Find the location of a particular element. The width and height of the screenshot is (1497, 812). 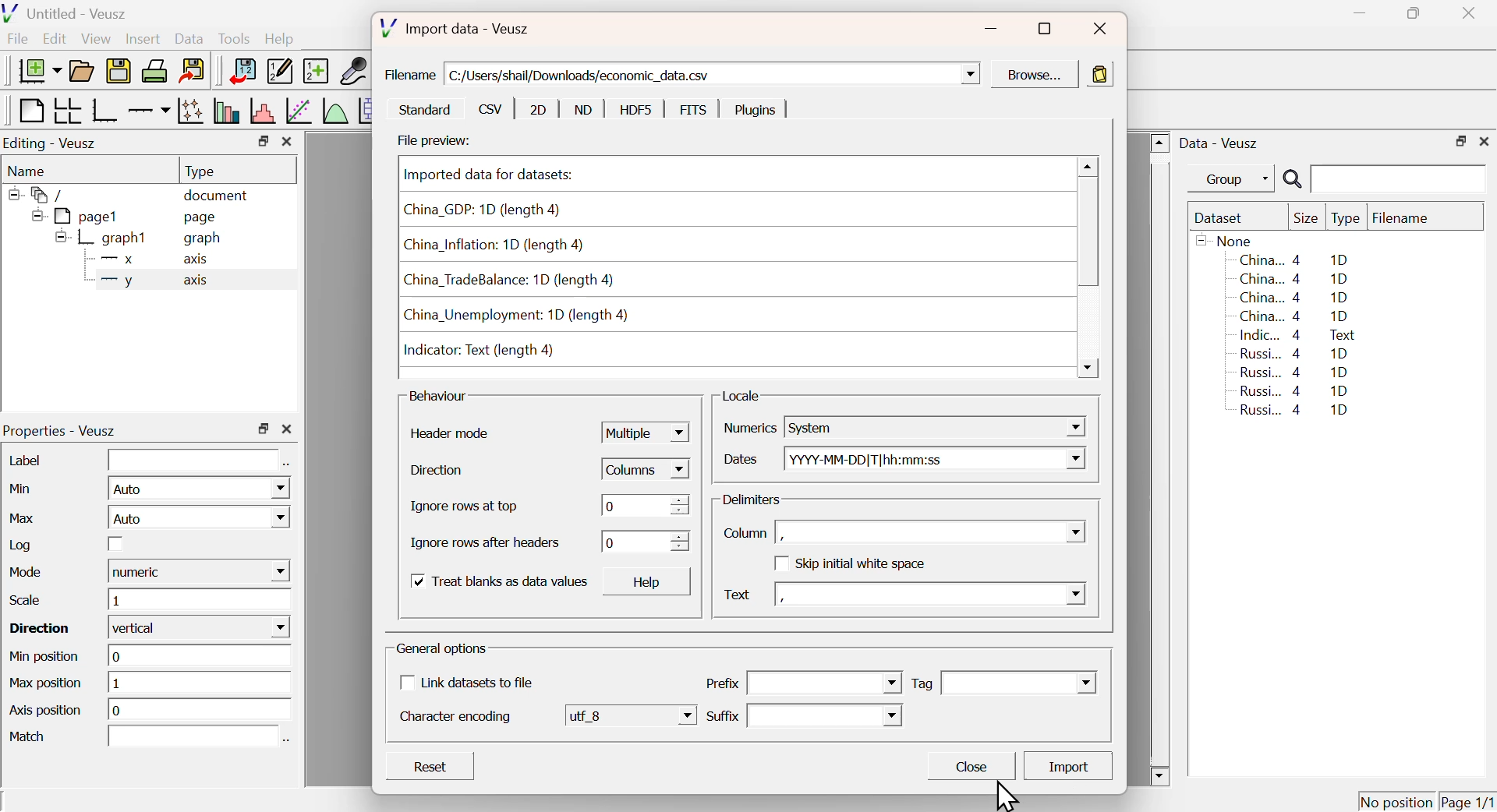

Input is located at coordinates (192, 736).